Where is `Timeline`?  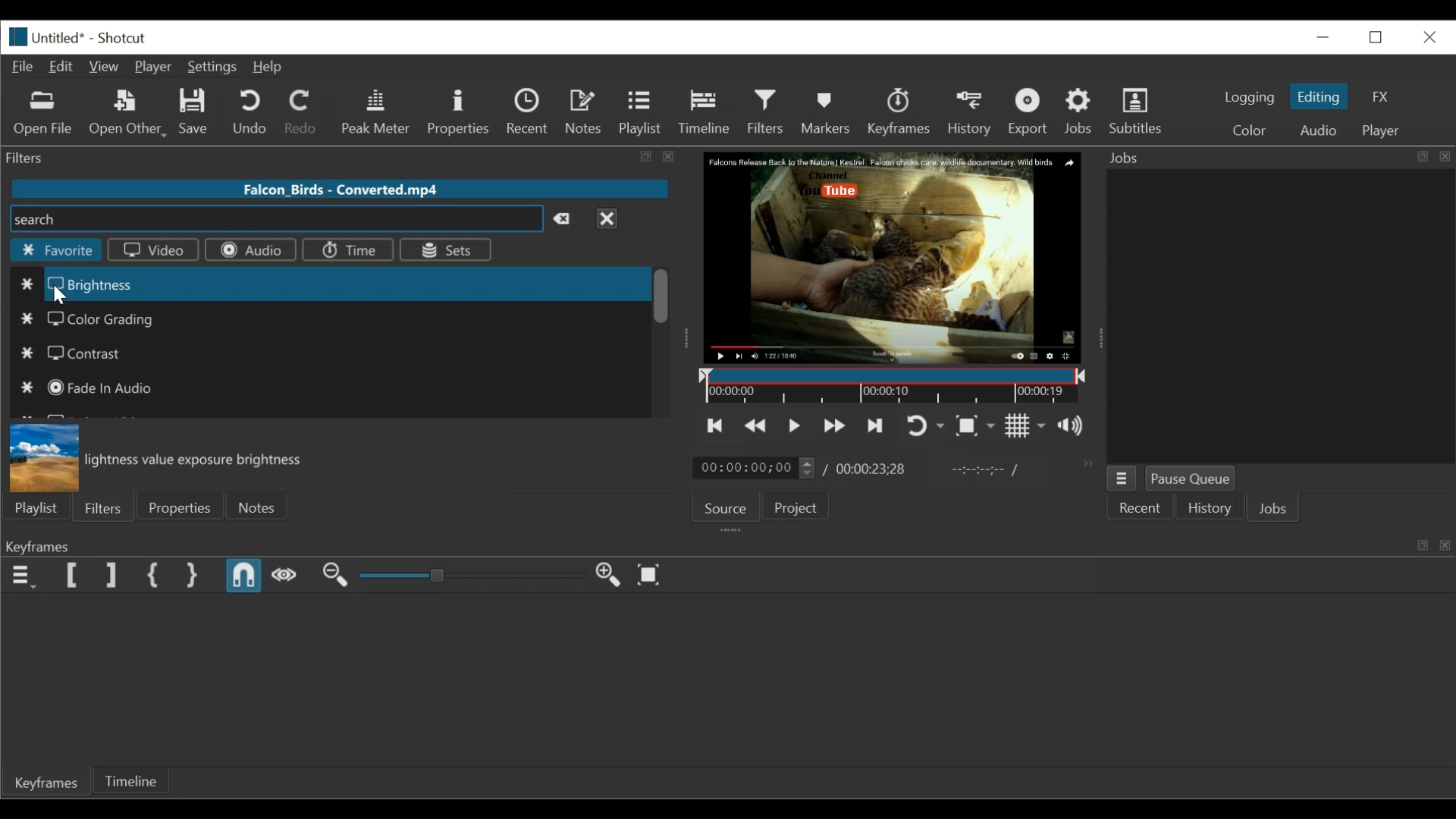
Timeline is located at coordinates (136, 780).